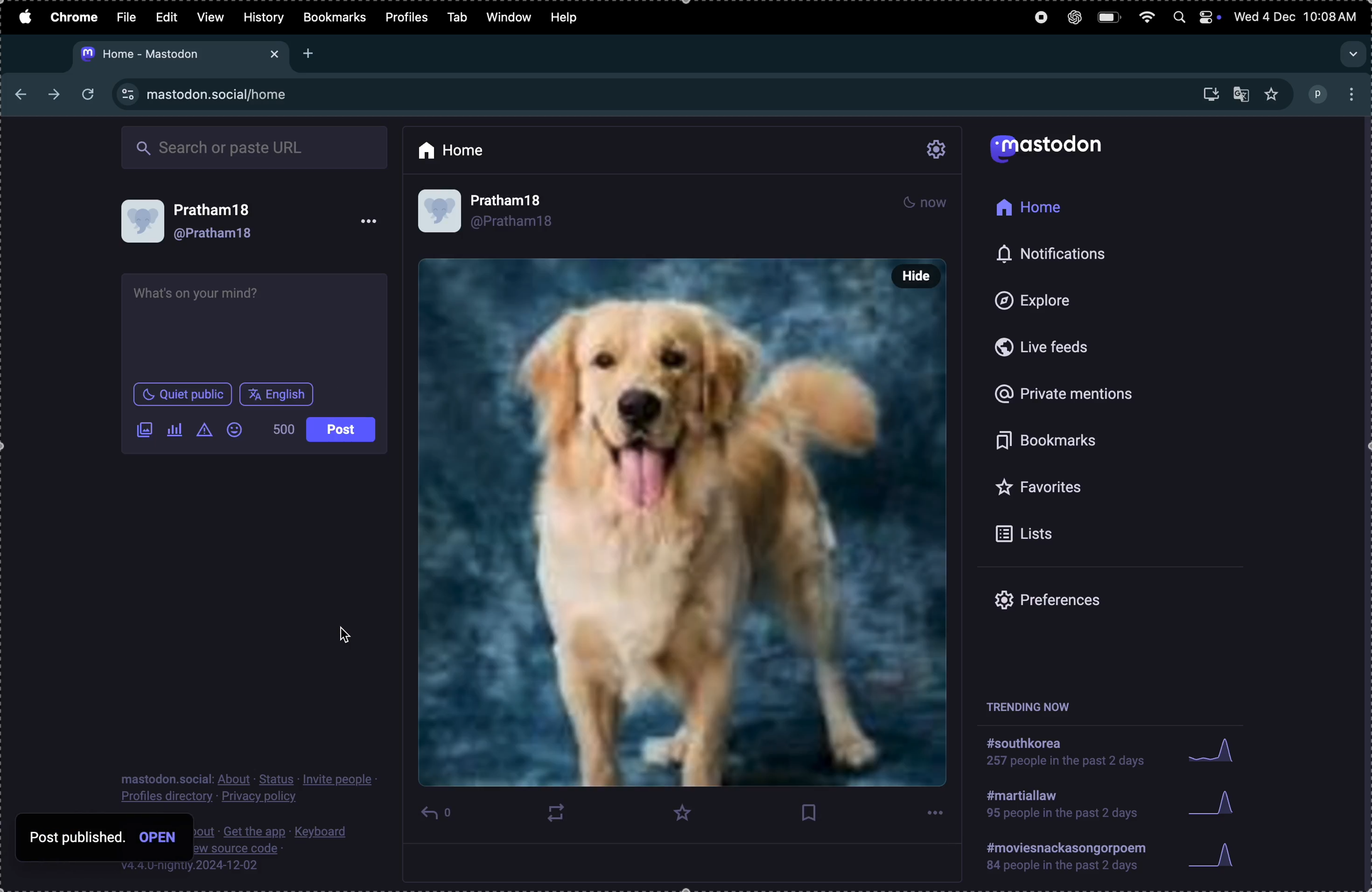  What do you see at coordinates (1242, 92) in the screenshot?
I see `translate` at bounding box center [1242, 92].